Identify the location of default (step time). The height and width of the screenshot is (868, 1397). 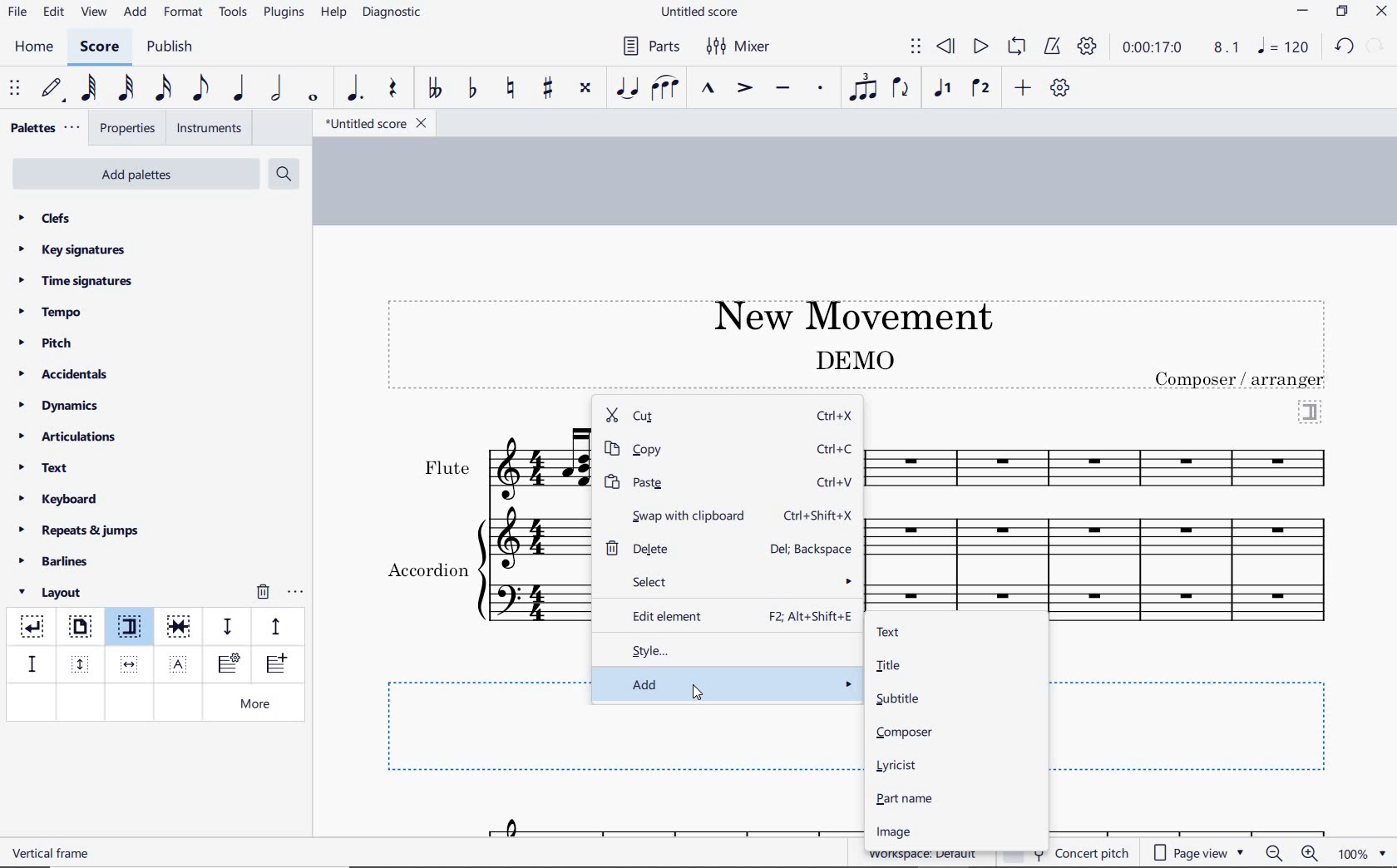
(53, 89).